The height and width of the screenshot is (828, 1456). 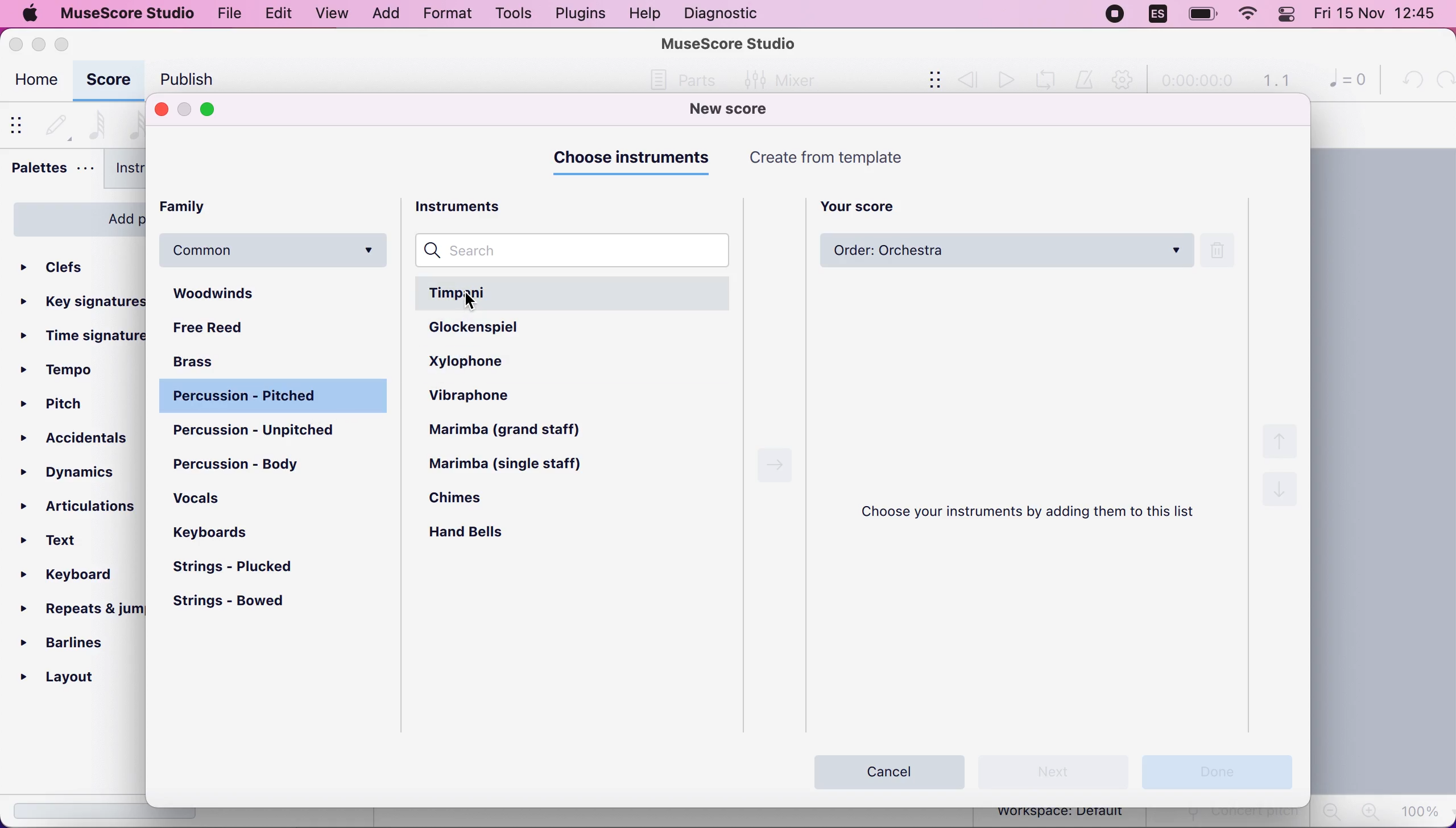 What do you see at coordinates (74, 263) in the screenshot?
I see `clefs` at bounding box center [74, 263].